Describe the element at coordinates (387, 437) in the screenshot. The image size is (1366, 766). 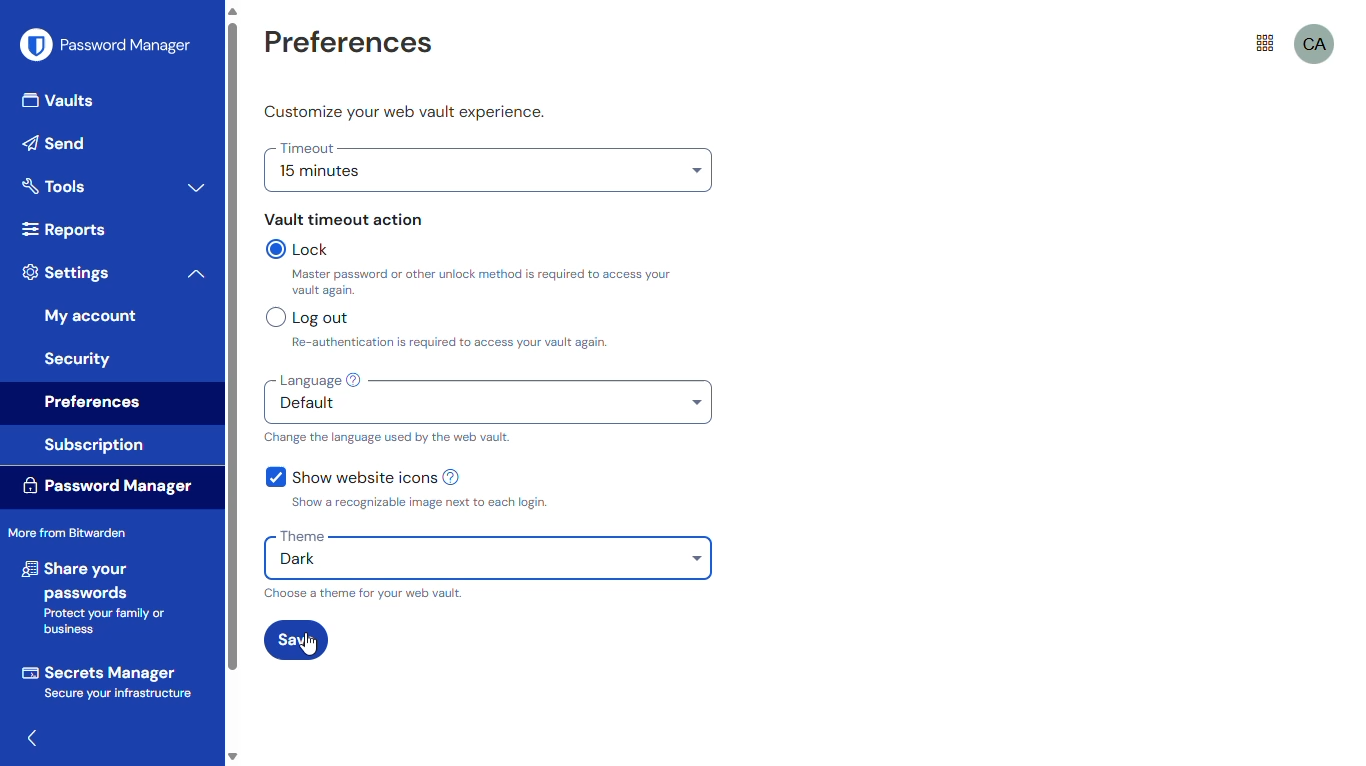
I see `change the language used by the web vault` at that location.